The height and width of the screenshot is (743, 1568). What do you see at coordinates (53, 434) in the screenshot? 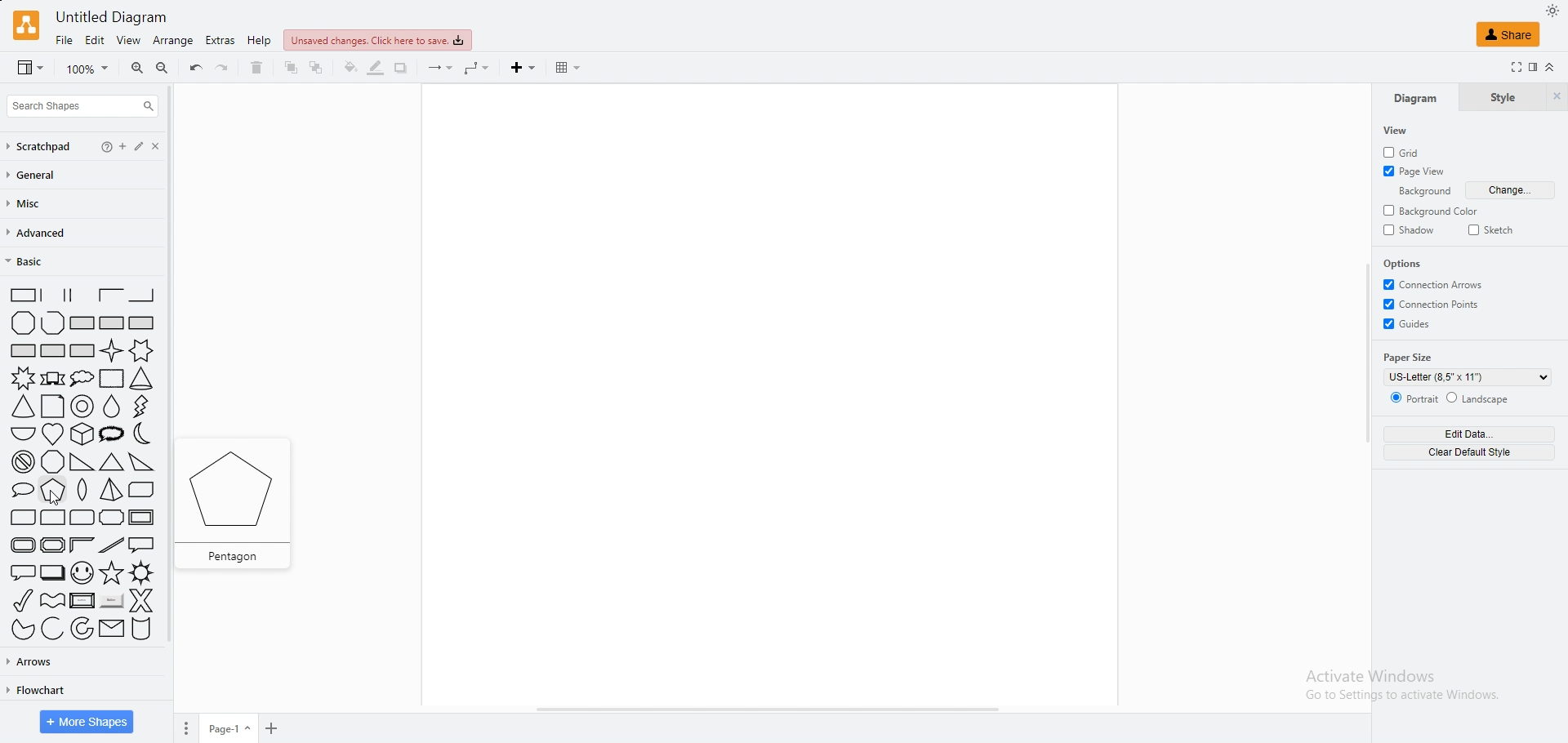
I see `heart` at bounding box center [53, 434].